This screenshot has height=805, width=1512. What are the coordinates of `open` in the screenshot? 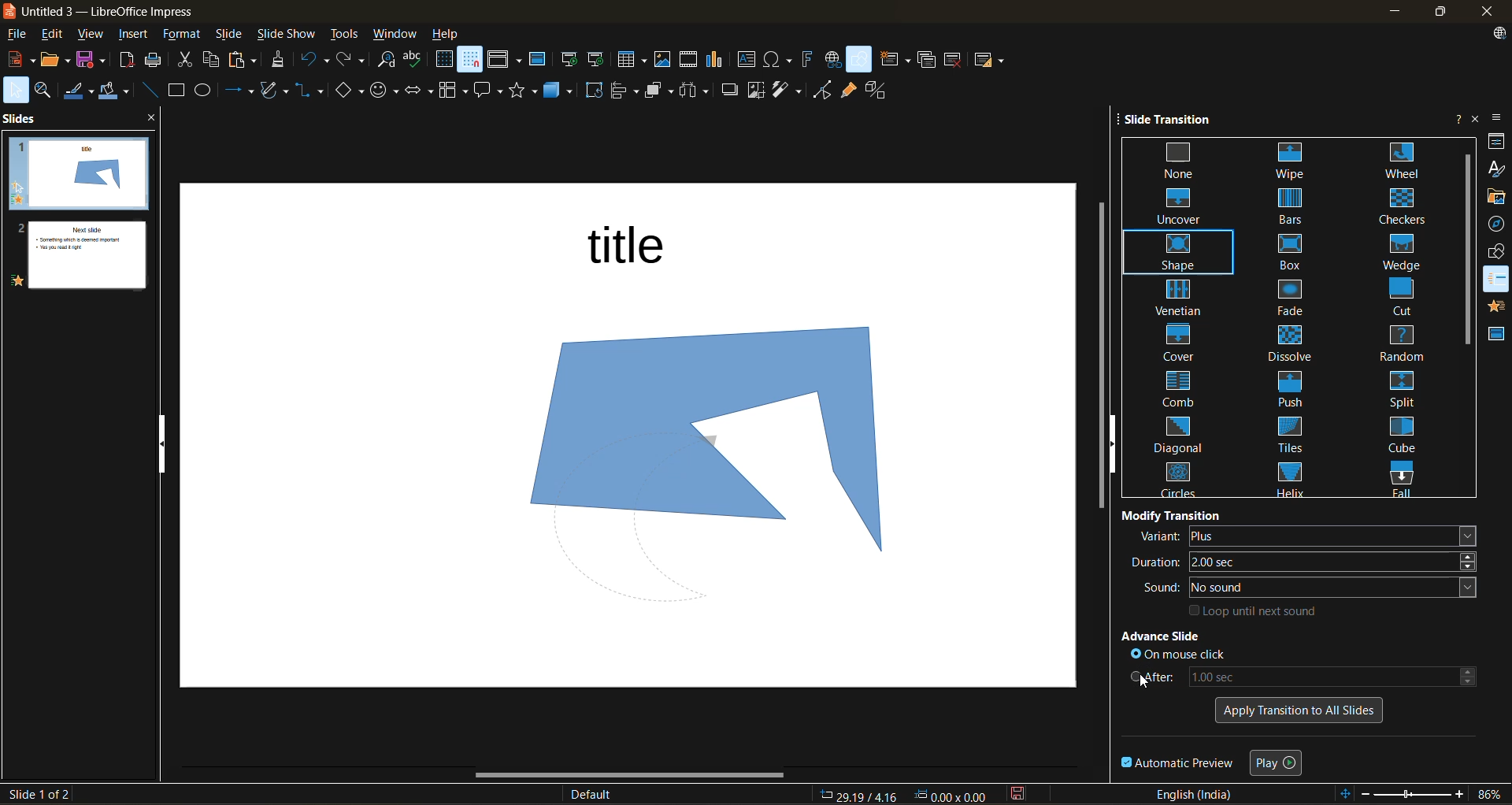 It's located at (56, 63).